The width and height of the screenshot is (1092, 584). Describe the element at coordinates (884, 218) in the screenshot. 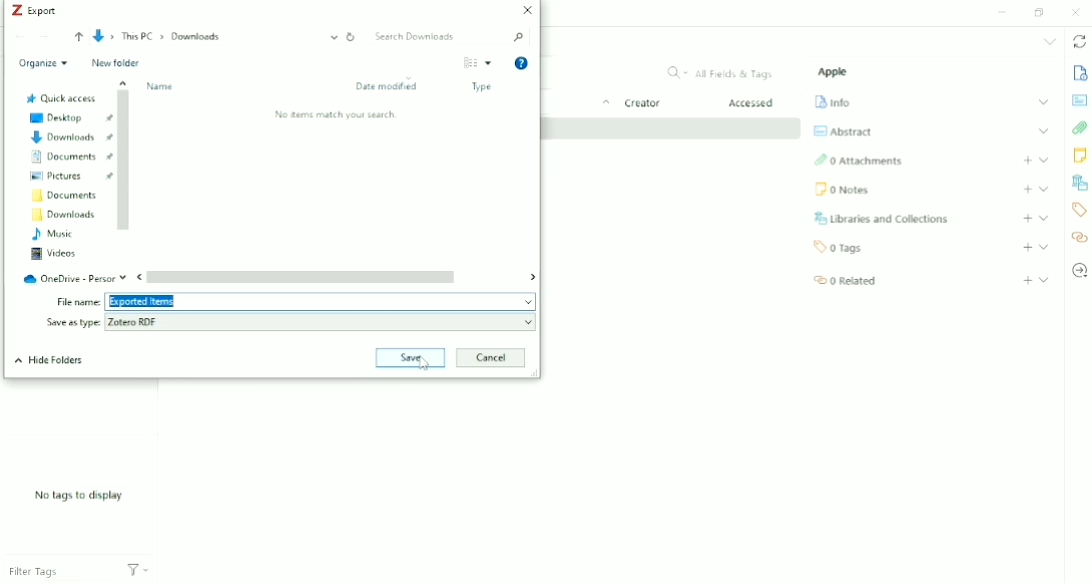

I see `Libraries and Collections` at that location.